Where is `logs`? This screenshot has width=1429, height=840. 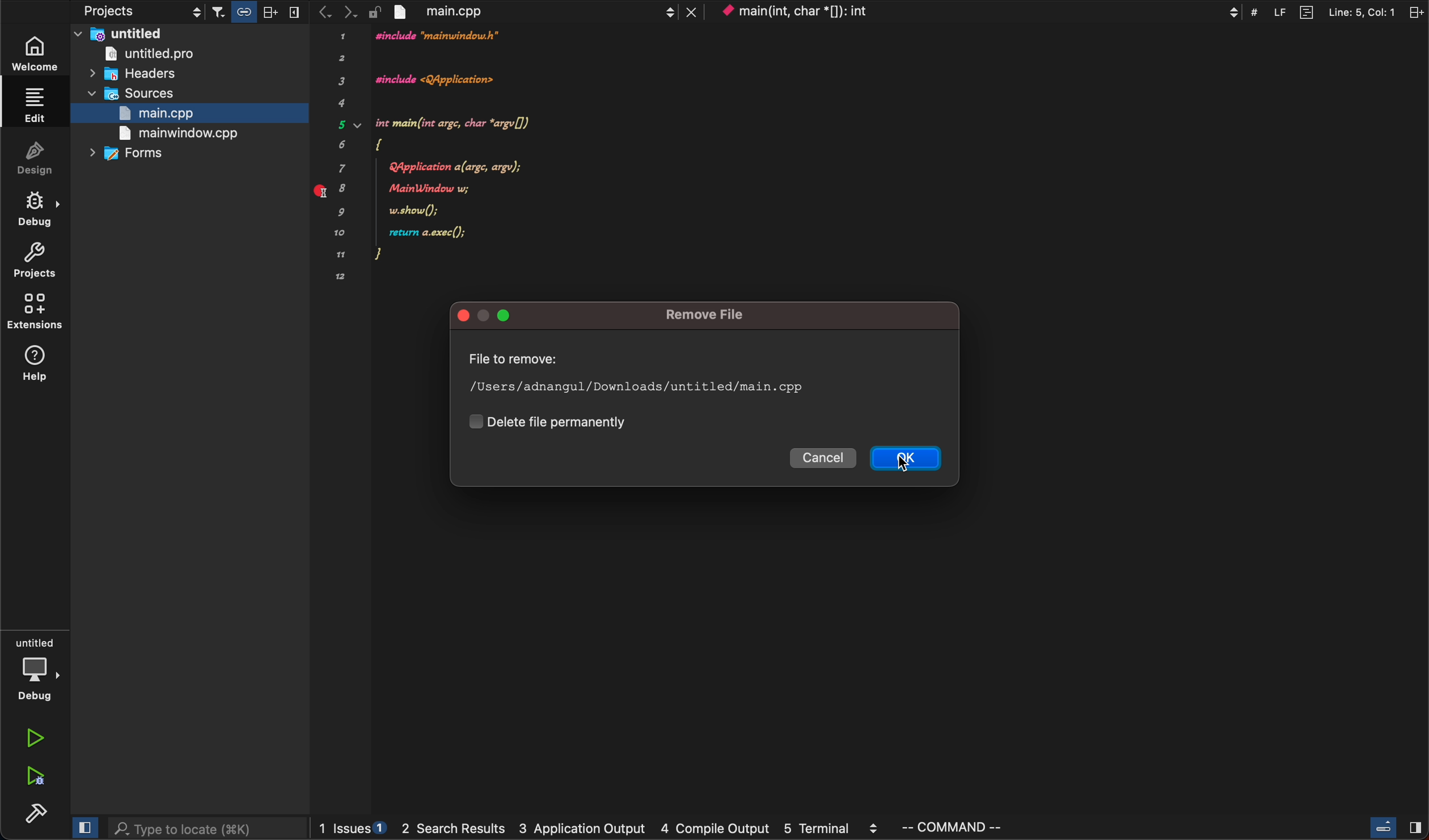
logs is located at coordinates (602, 828).